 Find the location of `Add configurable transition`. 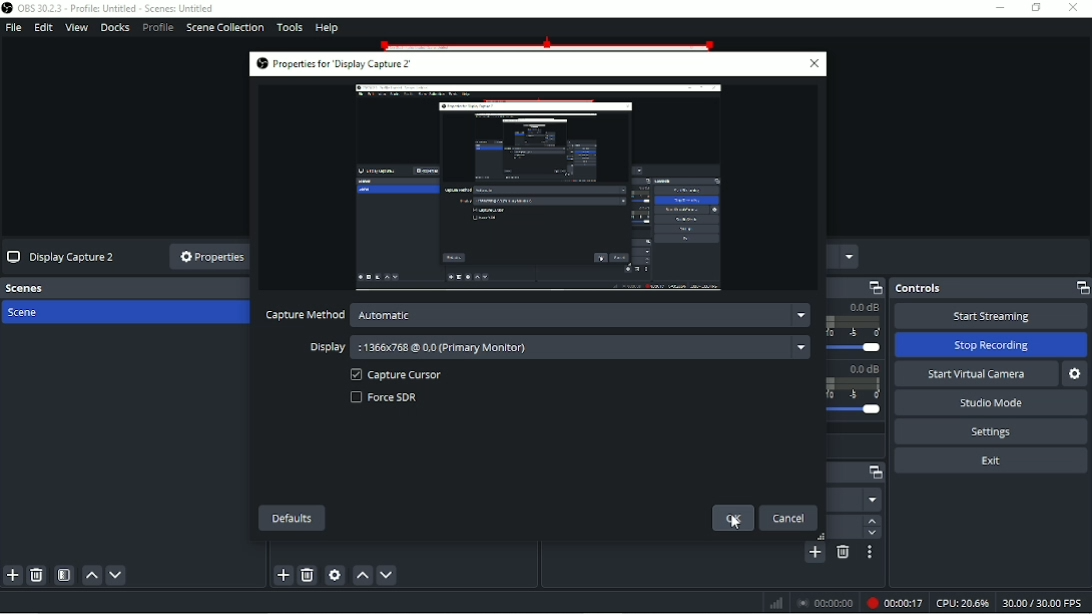

Add configurable transition is located at coordinates (814, 553).